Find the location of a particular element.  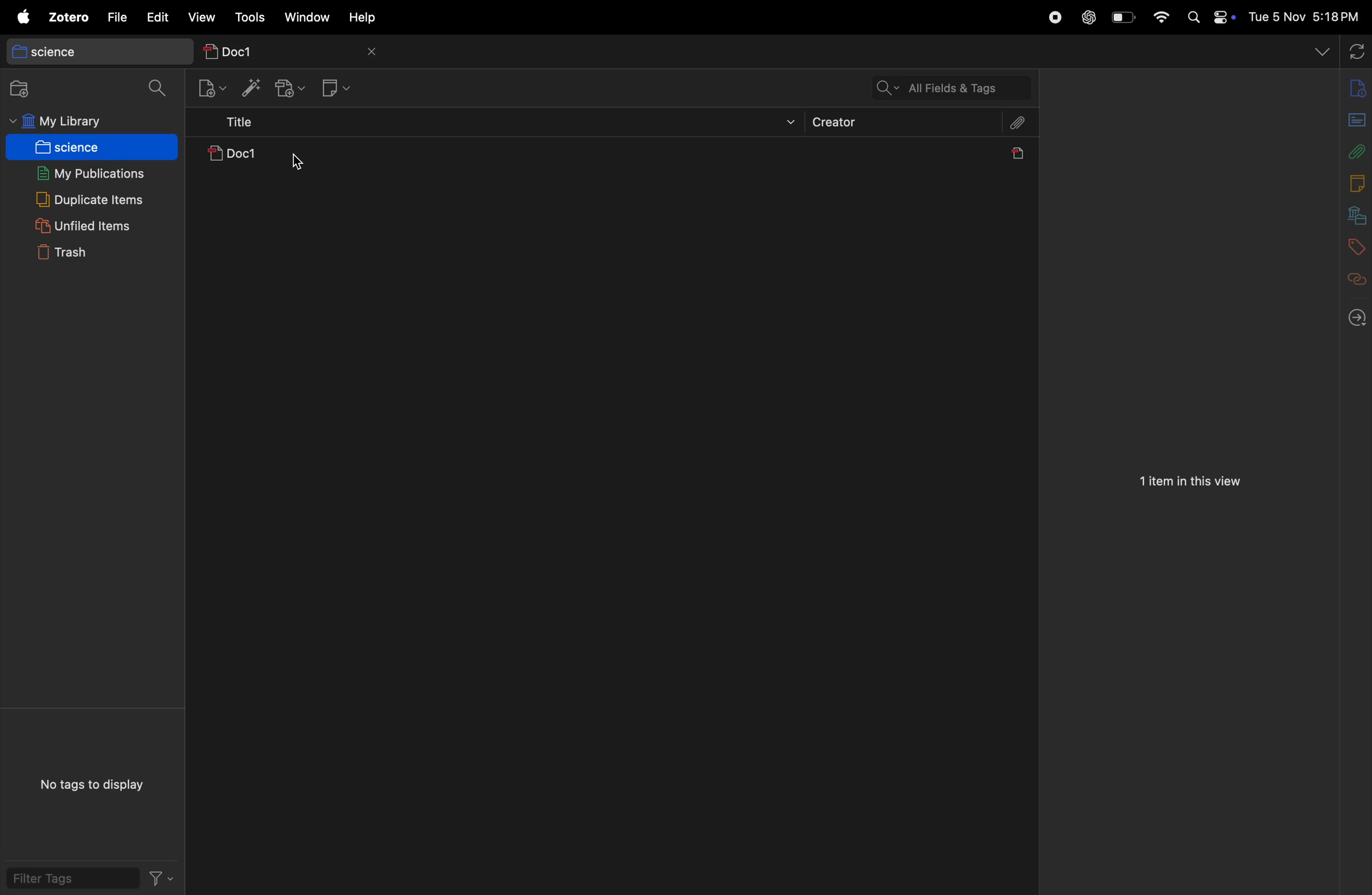

Search is located at coordinates (1193, 17).